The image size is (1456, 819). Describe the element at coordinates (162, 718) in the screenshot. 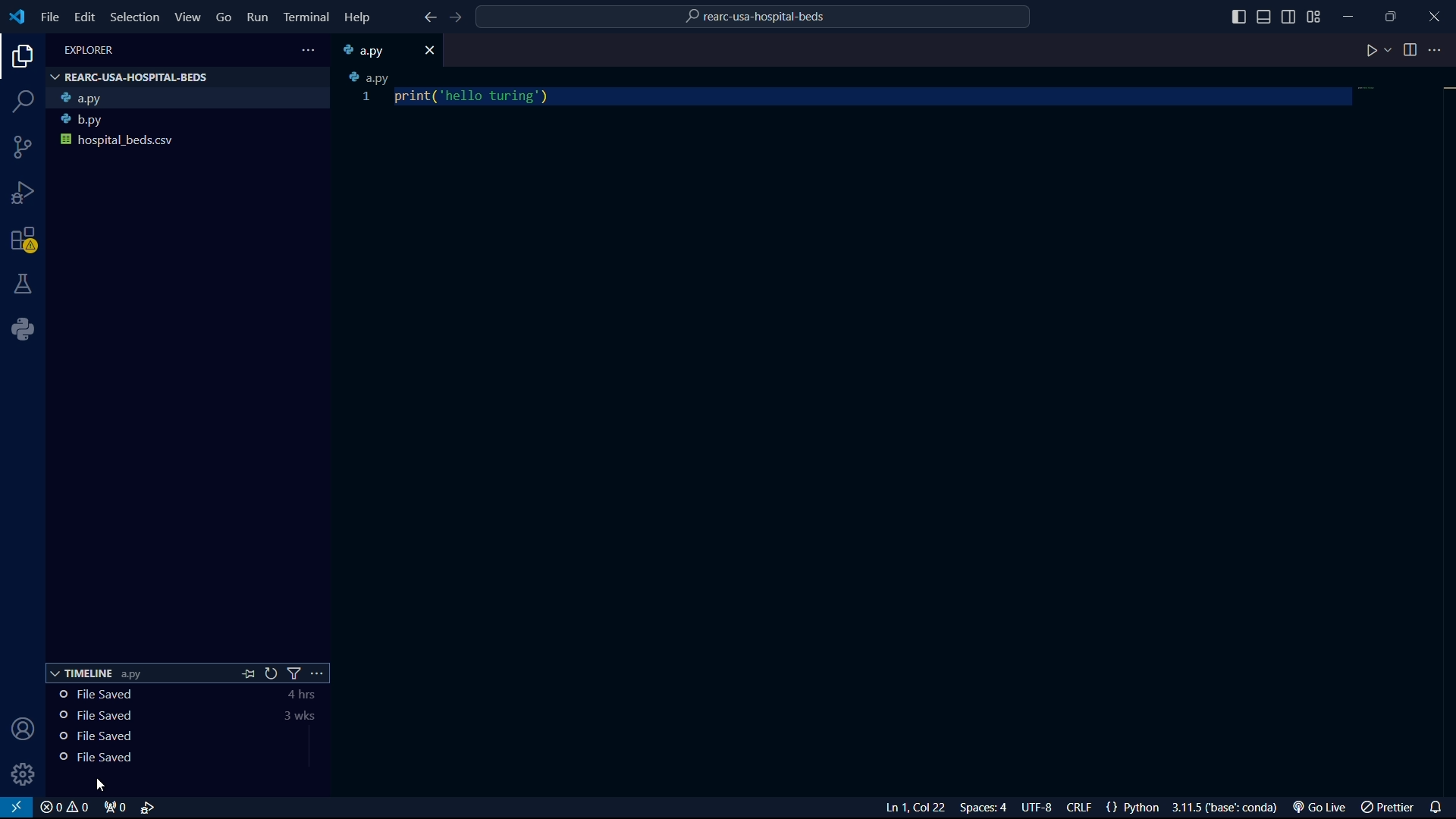

I see `timeline` at that location.